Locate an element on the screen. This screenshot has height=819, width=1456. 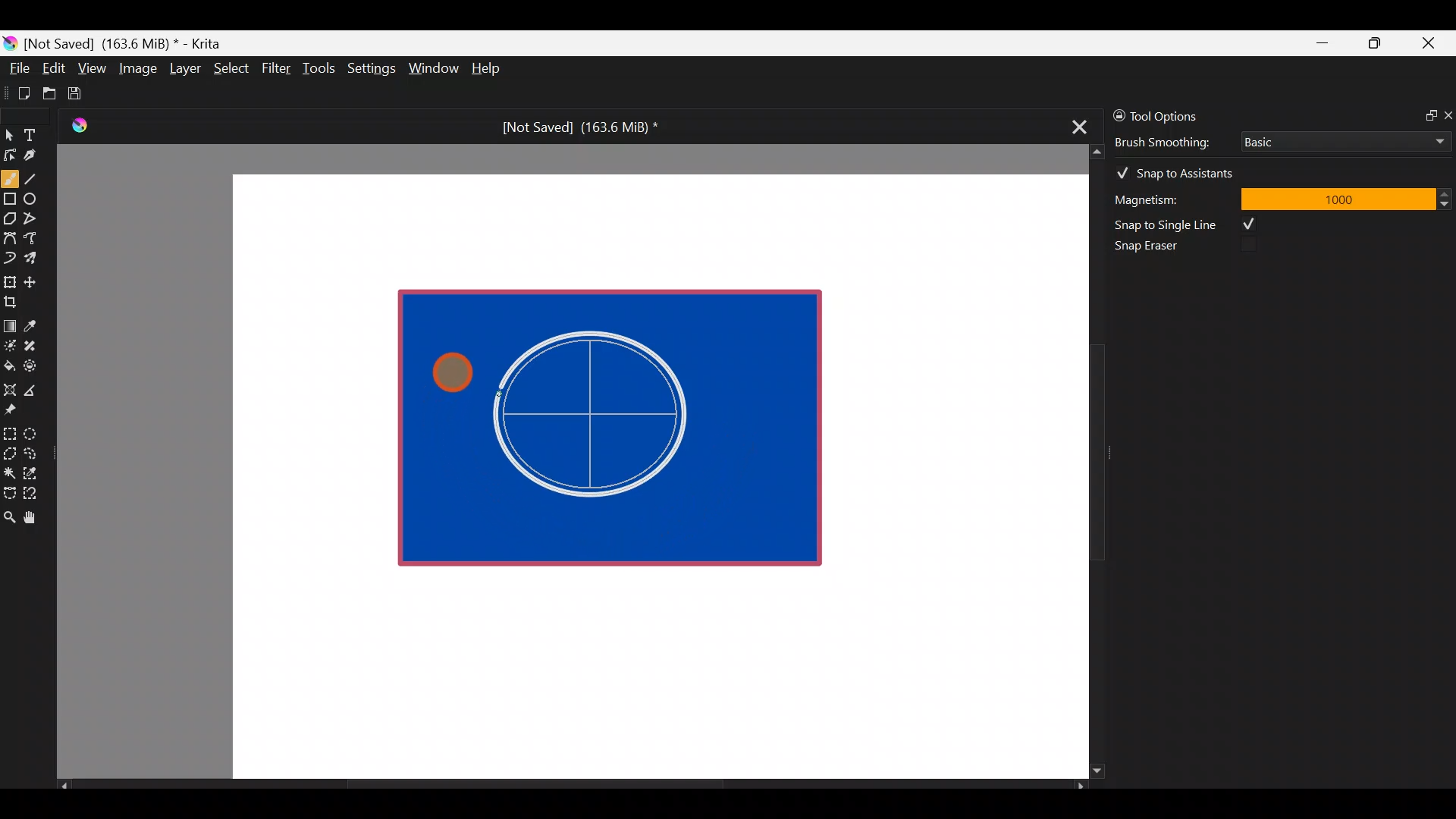
Assistant tool is located at coordinates (9, 385).